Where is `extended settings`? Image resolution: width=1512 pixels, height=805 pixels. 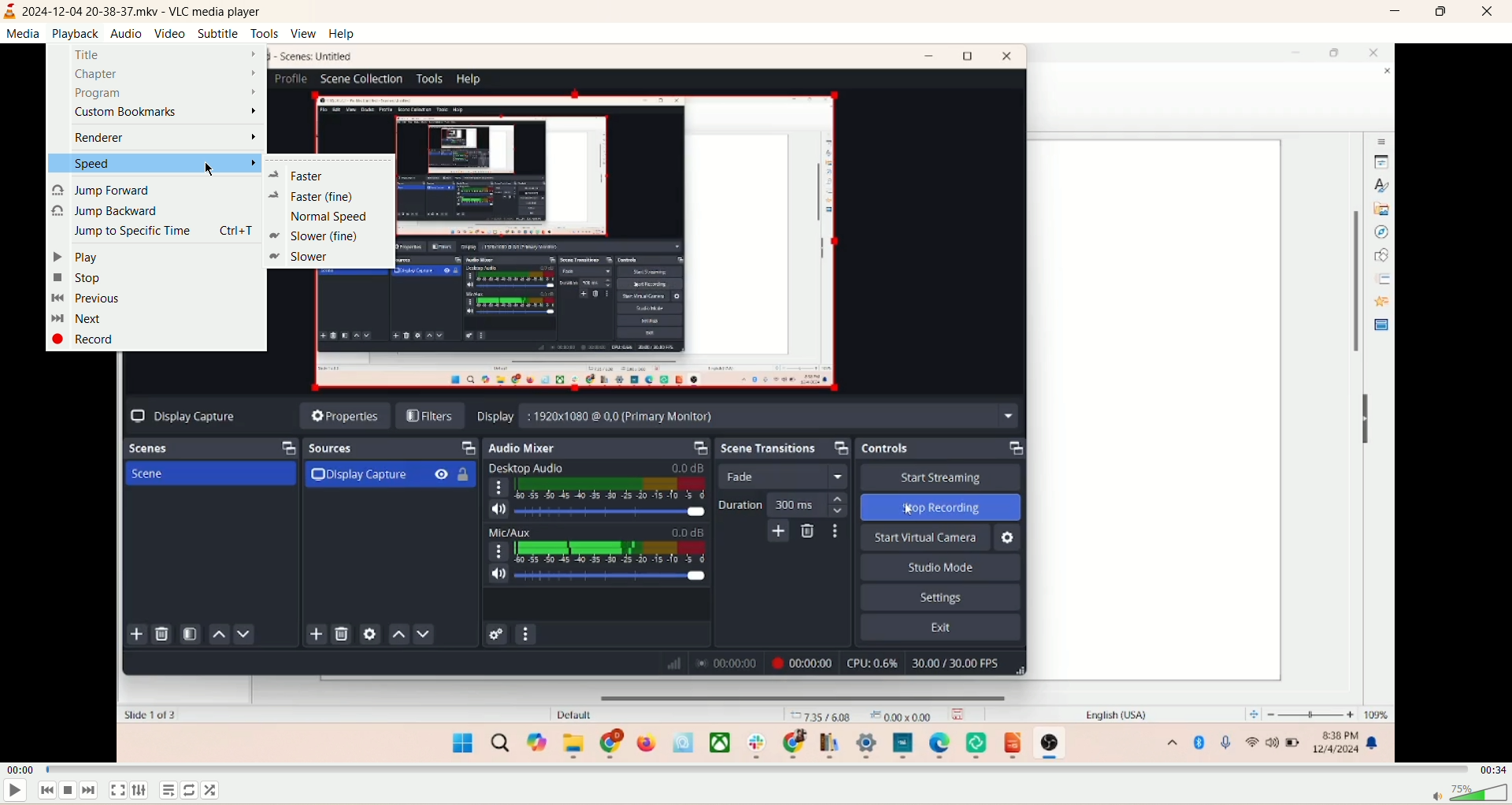 extended settings is located at coordinates (139, 792).